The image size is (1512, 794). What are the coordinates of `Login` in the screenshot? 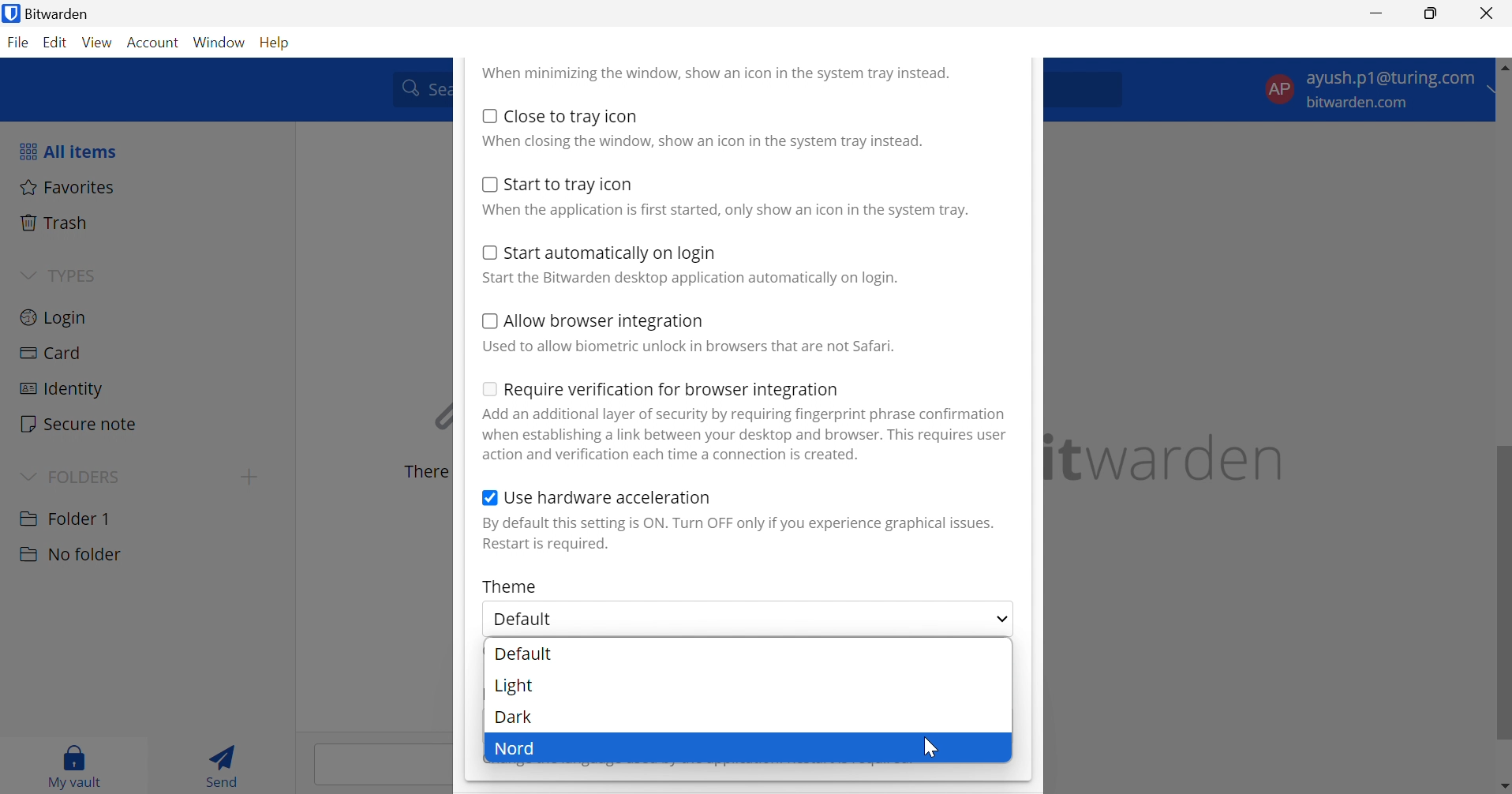 It's located at (54, 316).